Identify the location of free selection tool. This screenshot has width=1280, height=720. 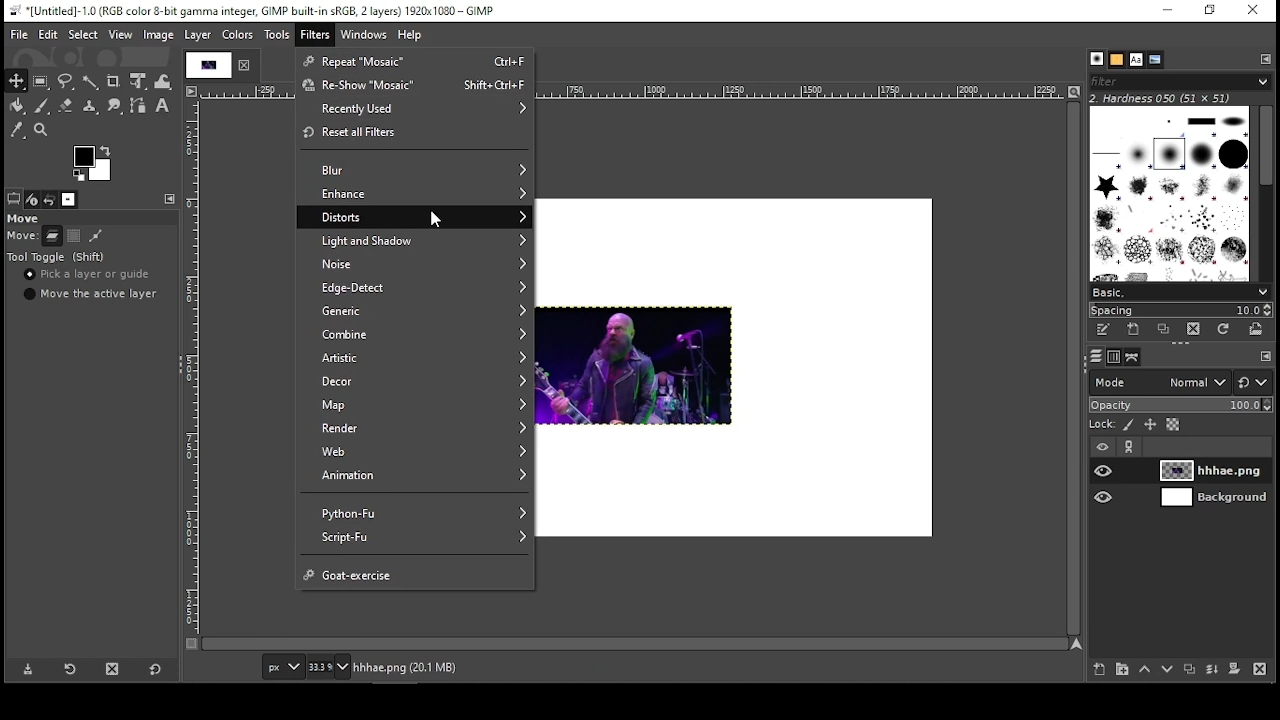
(65, 81).